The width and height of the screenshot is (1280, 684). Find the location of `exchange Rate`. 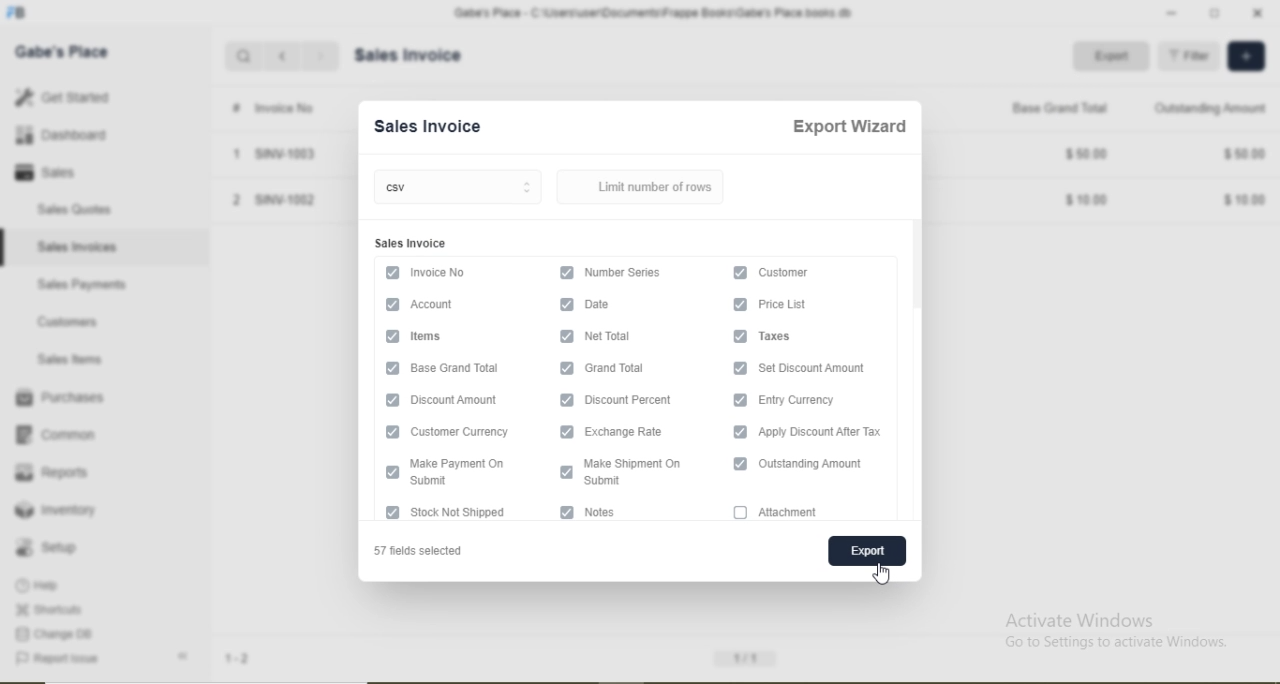

exchange Rate is located at coordinates (638, 432).